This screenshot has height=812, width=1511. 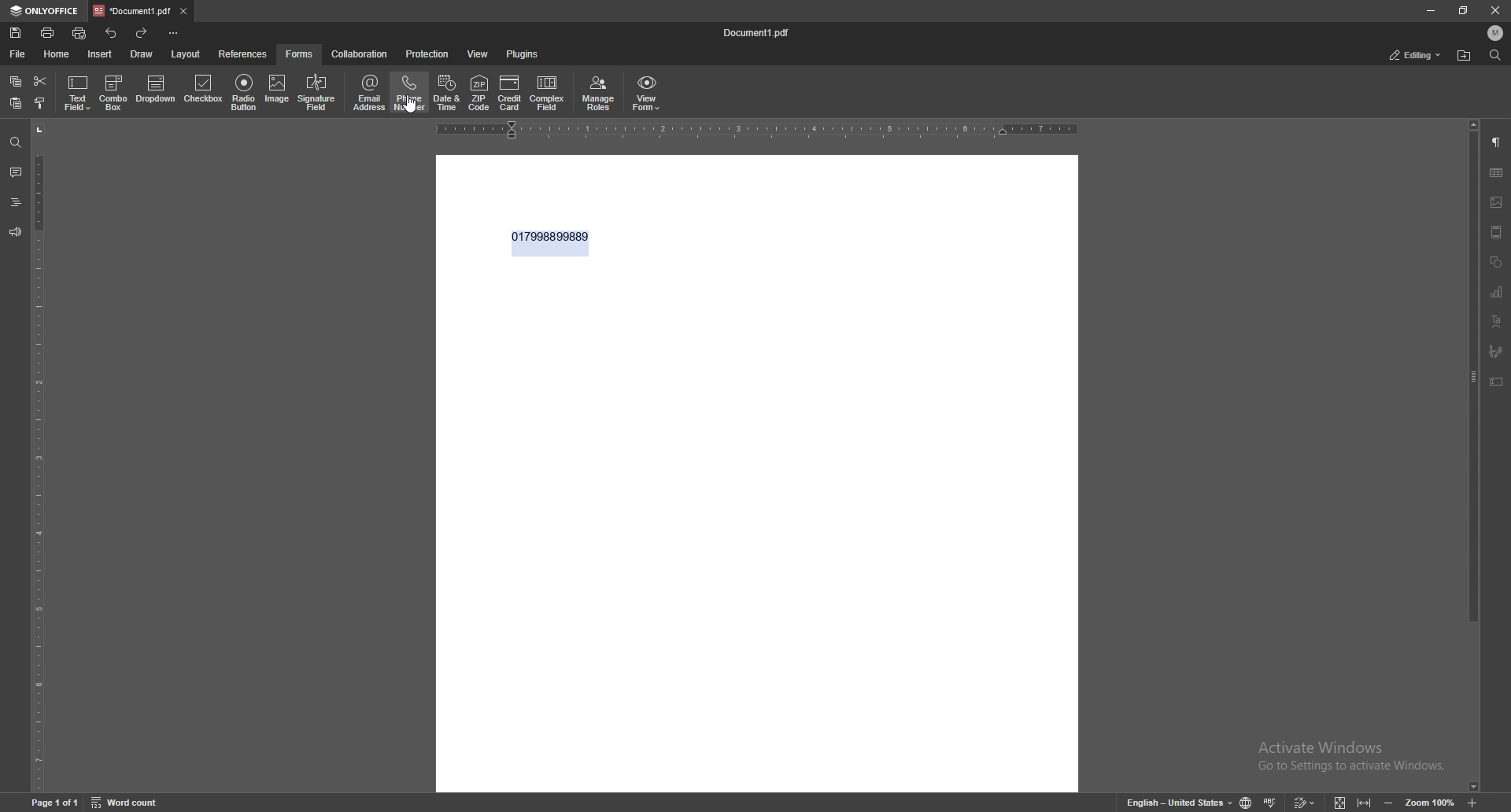 What do you see at coordinates (755, 34) in the screenshot?
I see `file name` at bounding box center [755, 34].